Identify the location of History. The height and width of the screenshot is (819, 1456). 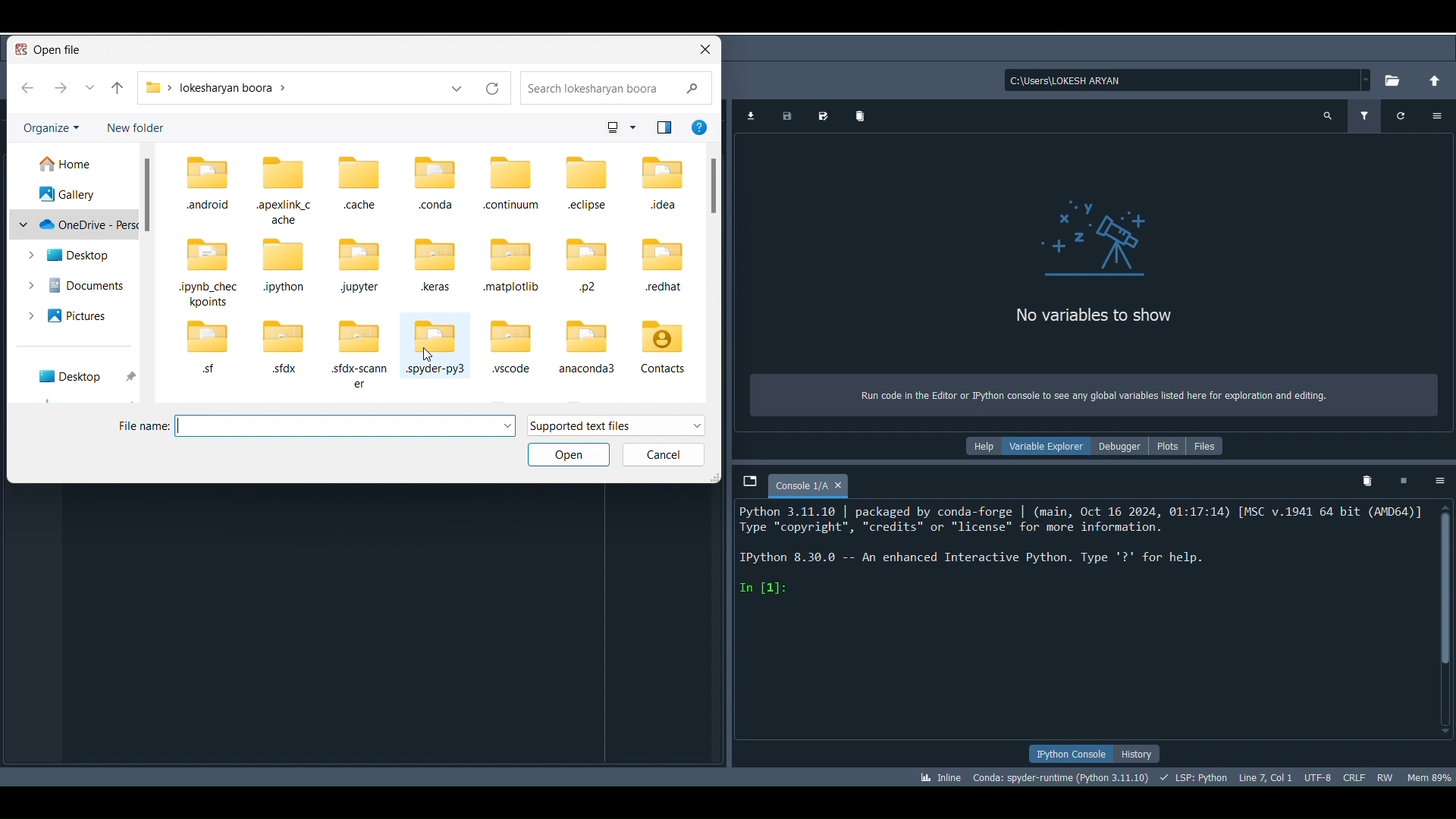
(1139, 753).